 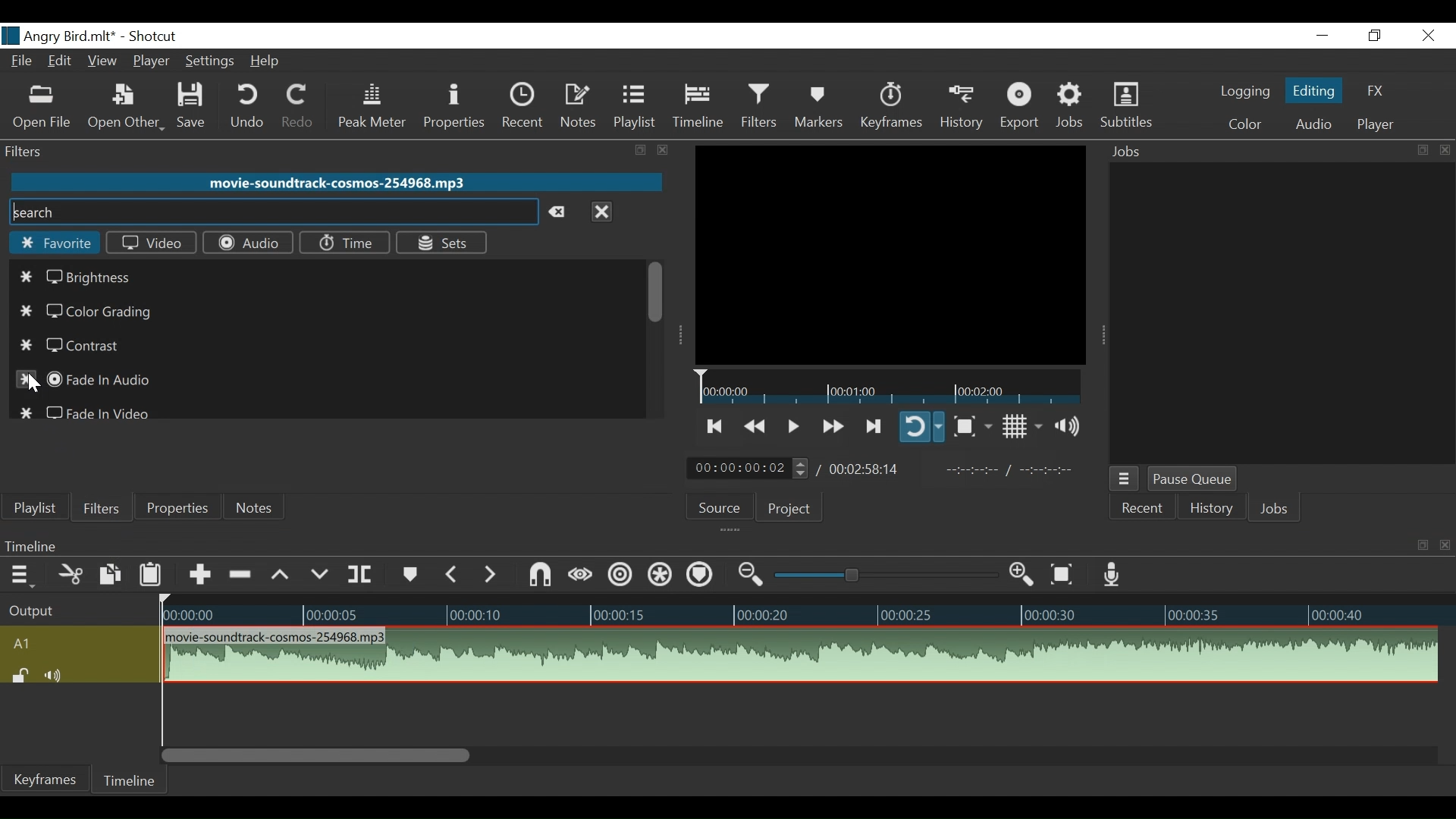 I want to click on Copy, so click(x=110, y=574).